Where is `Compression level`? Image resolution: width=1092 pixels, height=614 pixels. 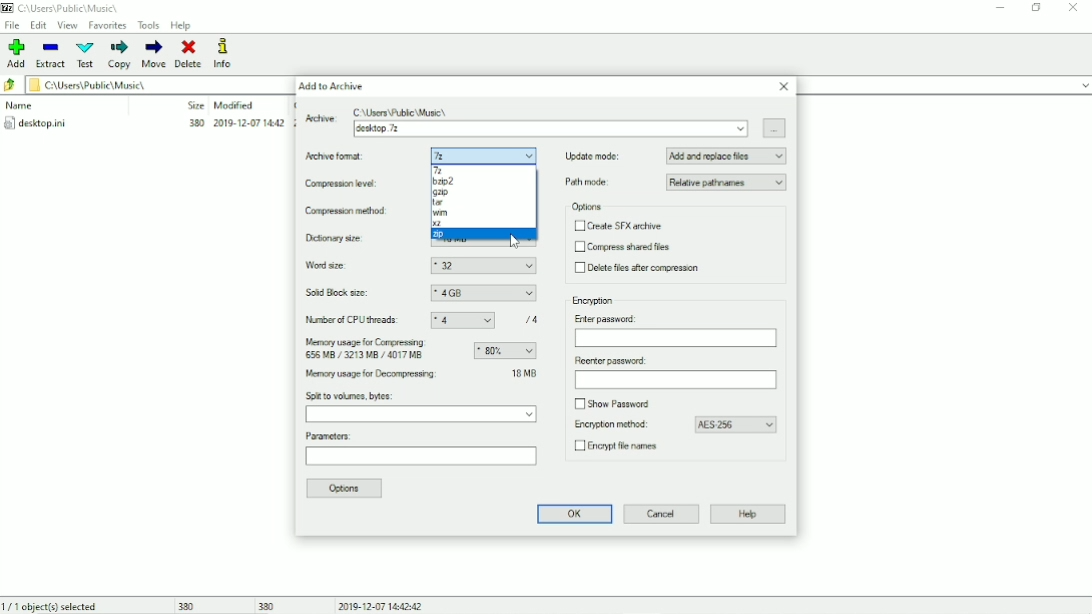
Compression level is located at coordinates (354, 185).